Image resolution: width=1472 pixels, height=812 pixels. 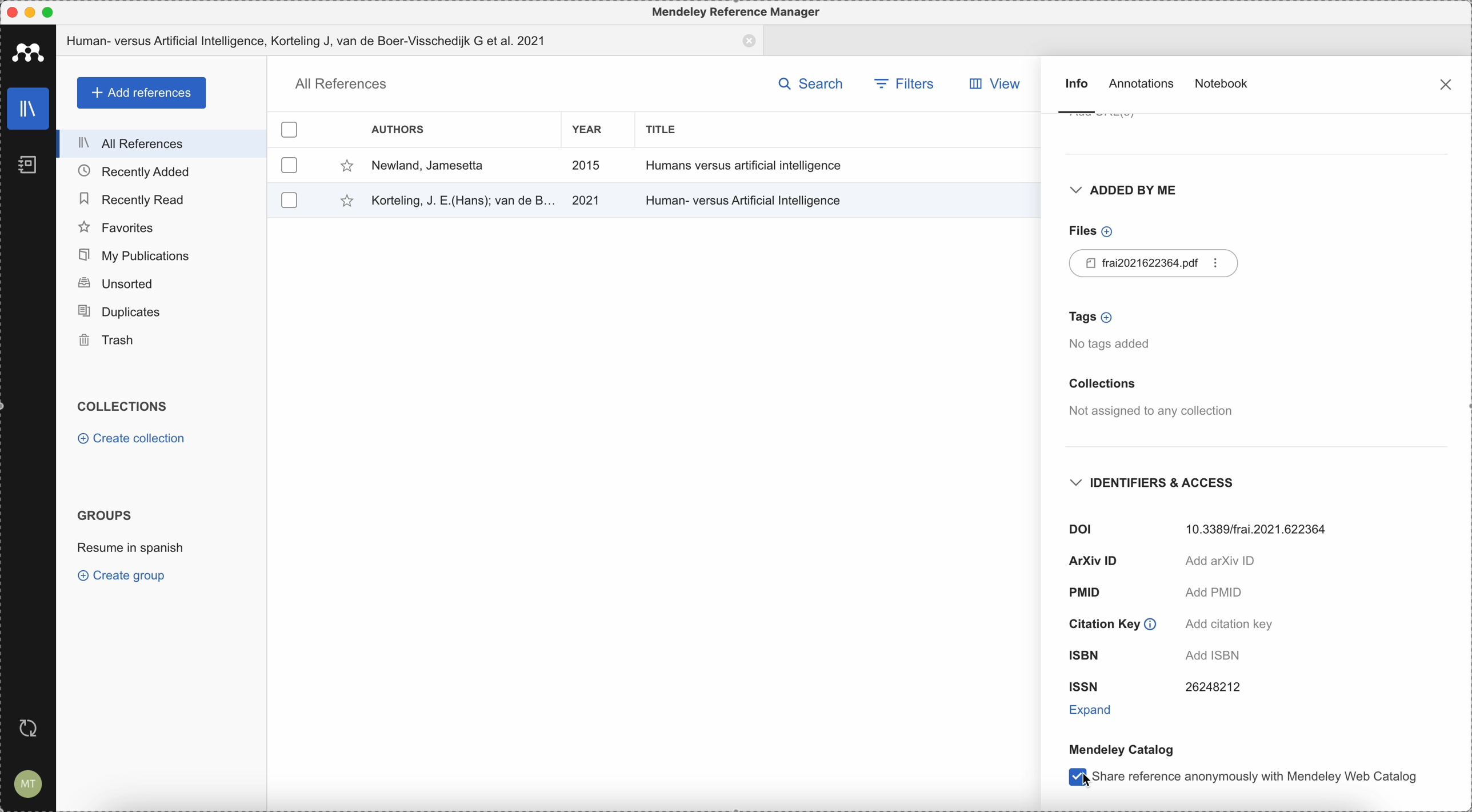 I want to click on checkbox, so click(x=290, y=165).